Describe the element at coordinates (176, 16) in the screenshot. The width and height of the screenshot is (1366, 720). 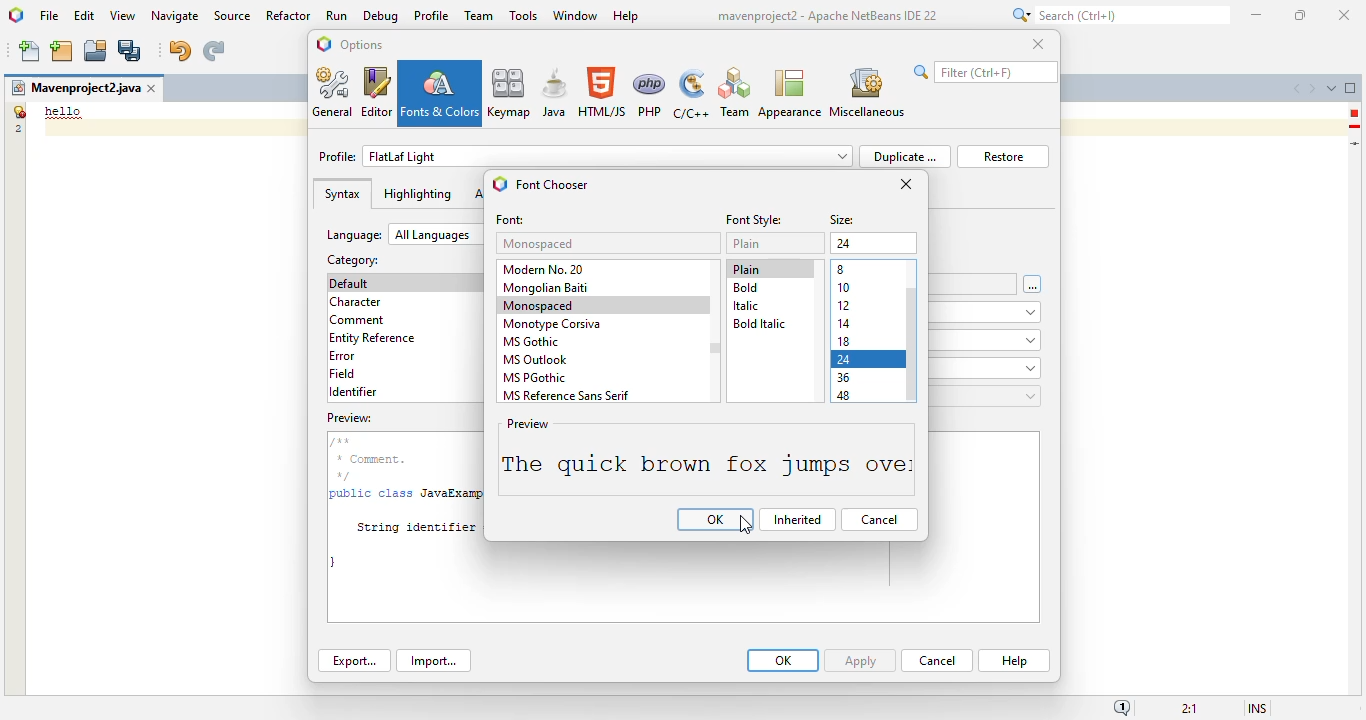
I see `navigate` at that location.